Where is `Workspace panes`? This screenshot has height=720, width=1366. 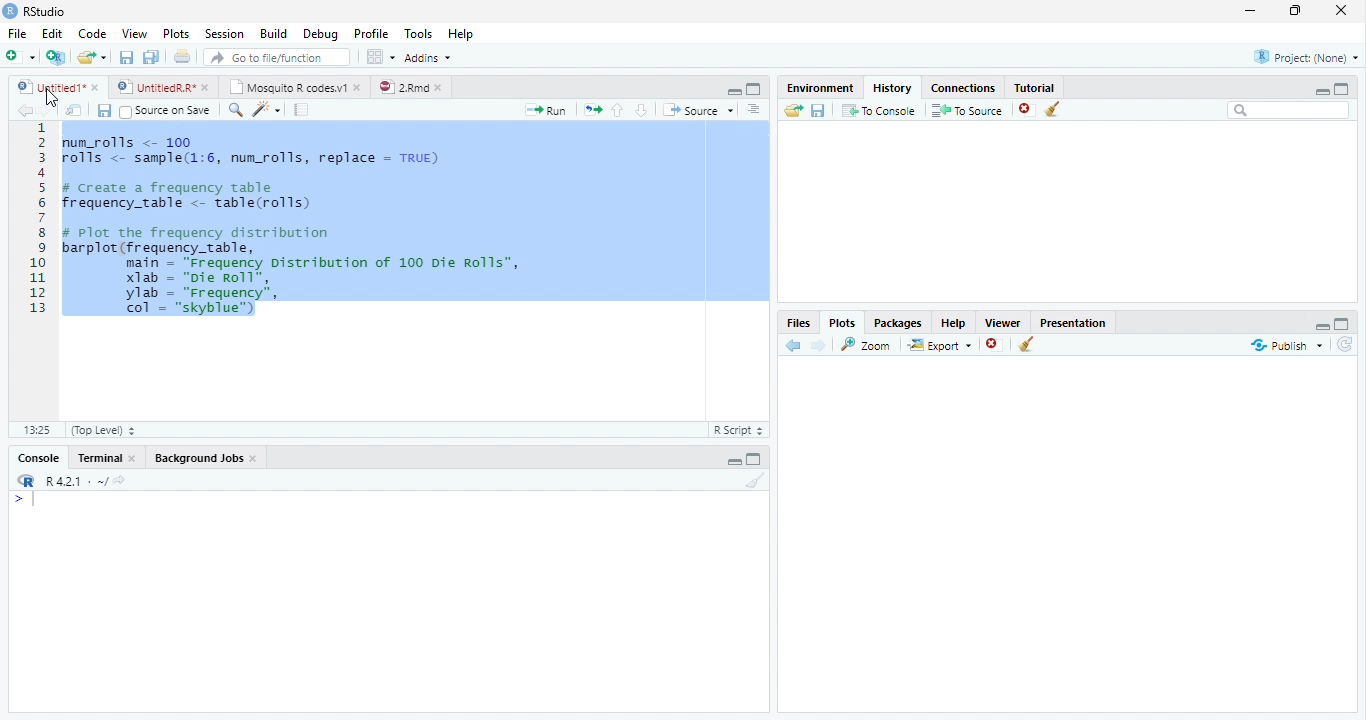
Workspace panes is located at coordinates (379, 57).